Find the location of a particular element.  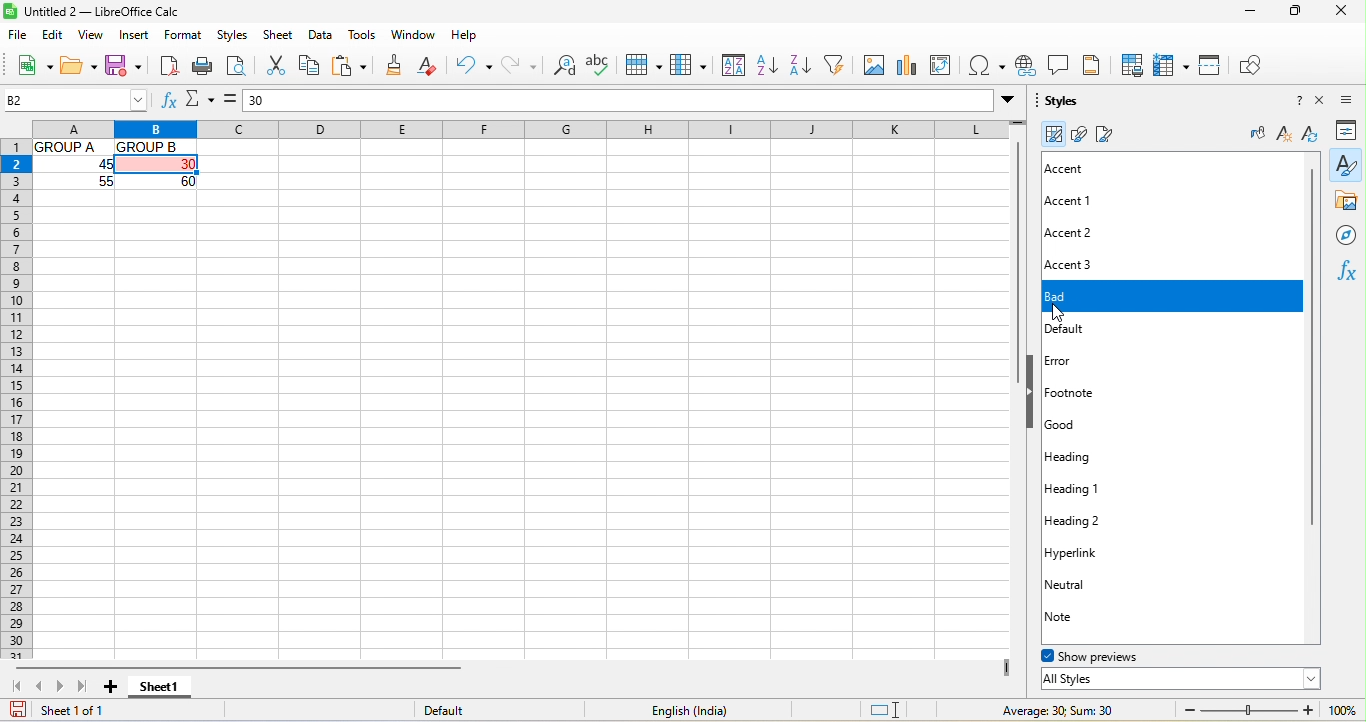

sidebar settings is located at coordinates (1352, 101).